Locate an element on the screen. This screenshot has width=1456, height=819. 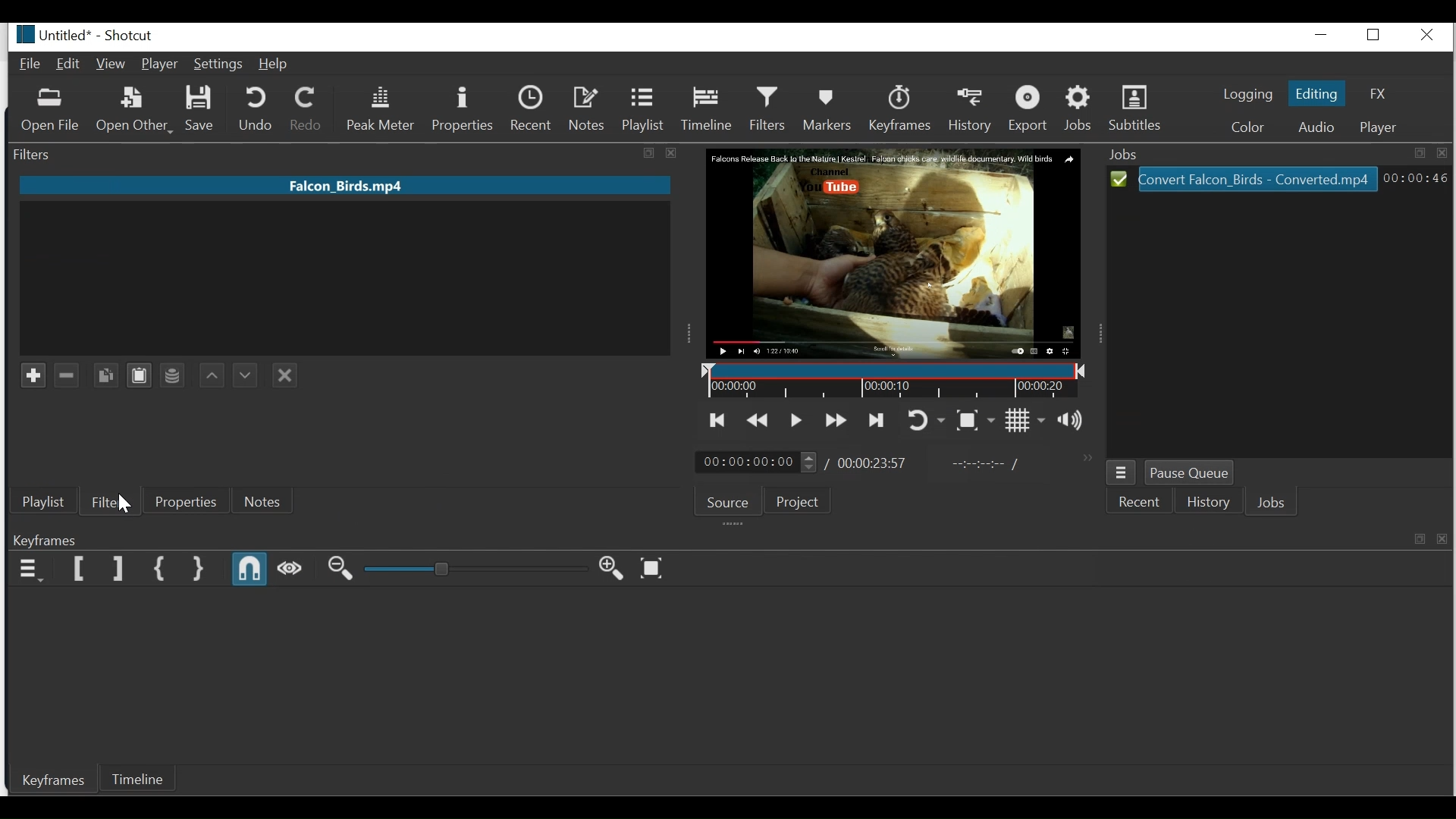
Remove selected filter is located at coordinates (67, 375).